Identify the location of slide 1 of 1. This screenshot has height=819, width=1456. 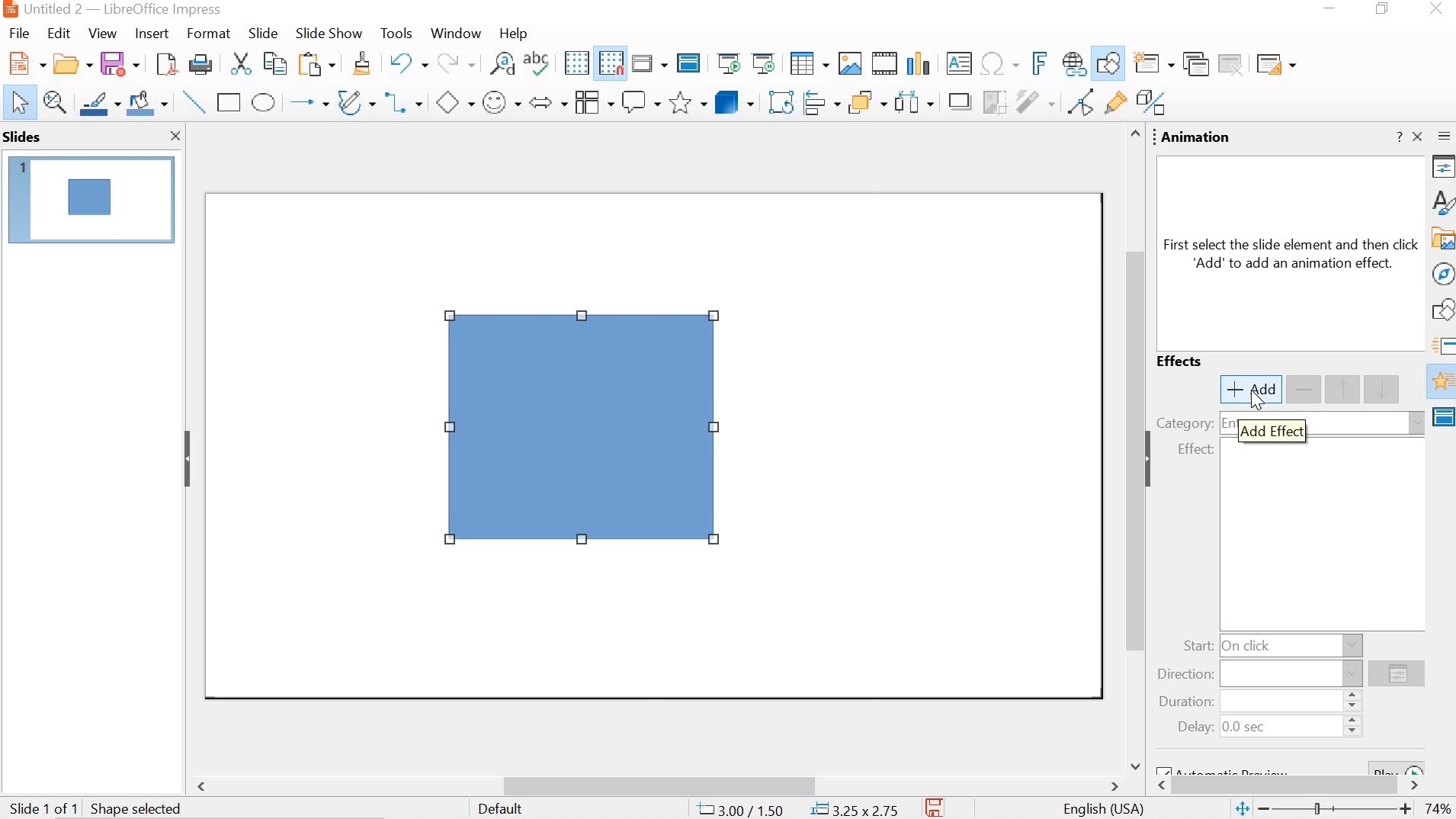
(97, 806).